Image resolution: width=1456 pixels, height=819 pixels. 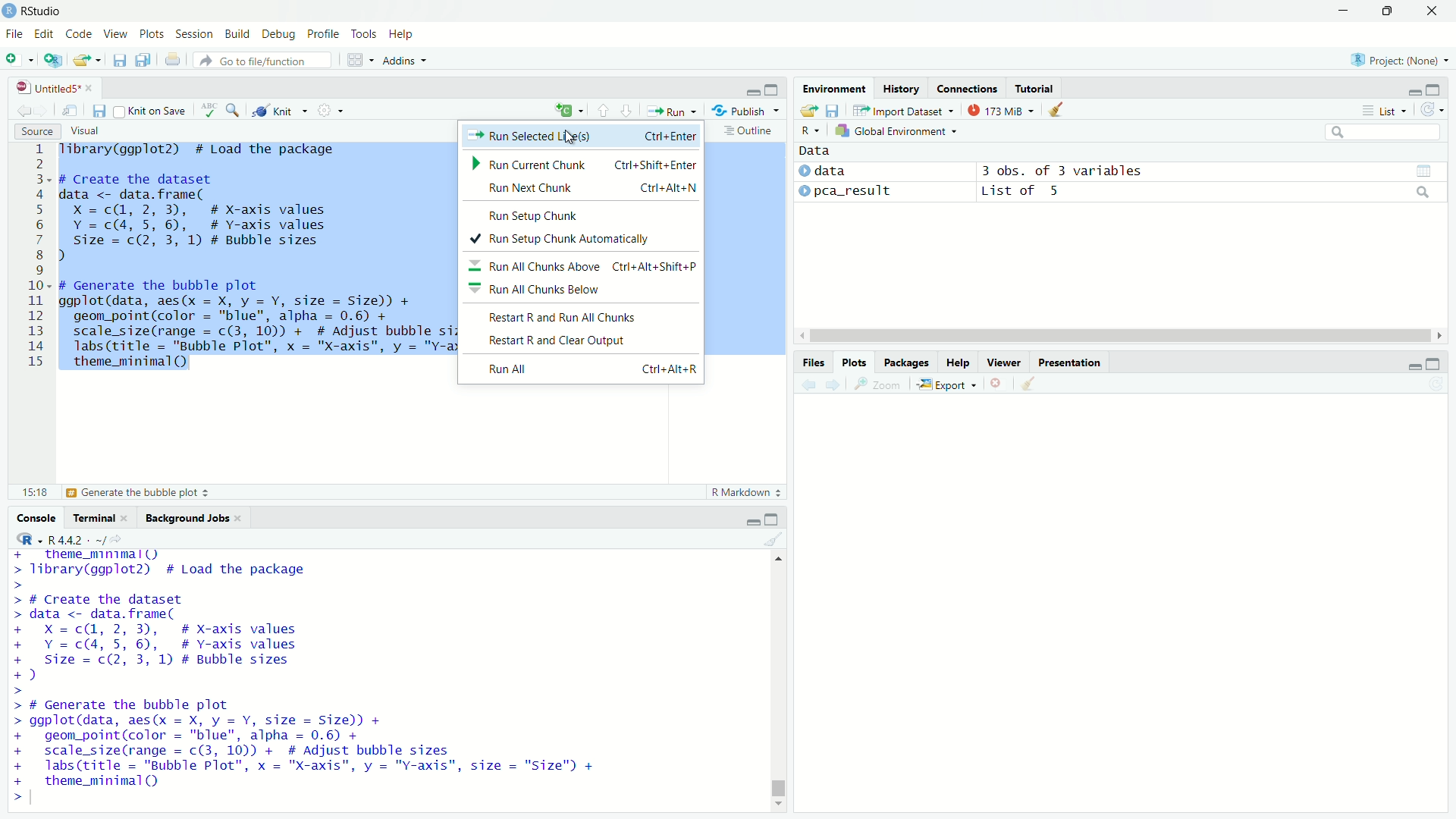 What do you see at coordinates (1342, 11) in the screenshot?
I see `minimize` at bounding box center [1342, 11].